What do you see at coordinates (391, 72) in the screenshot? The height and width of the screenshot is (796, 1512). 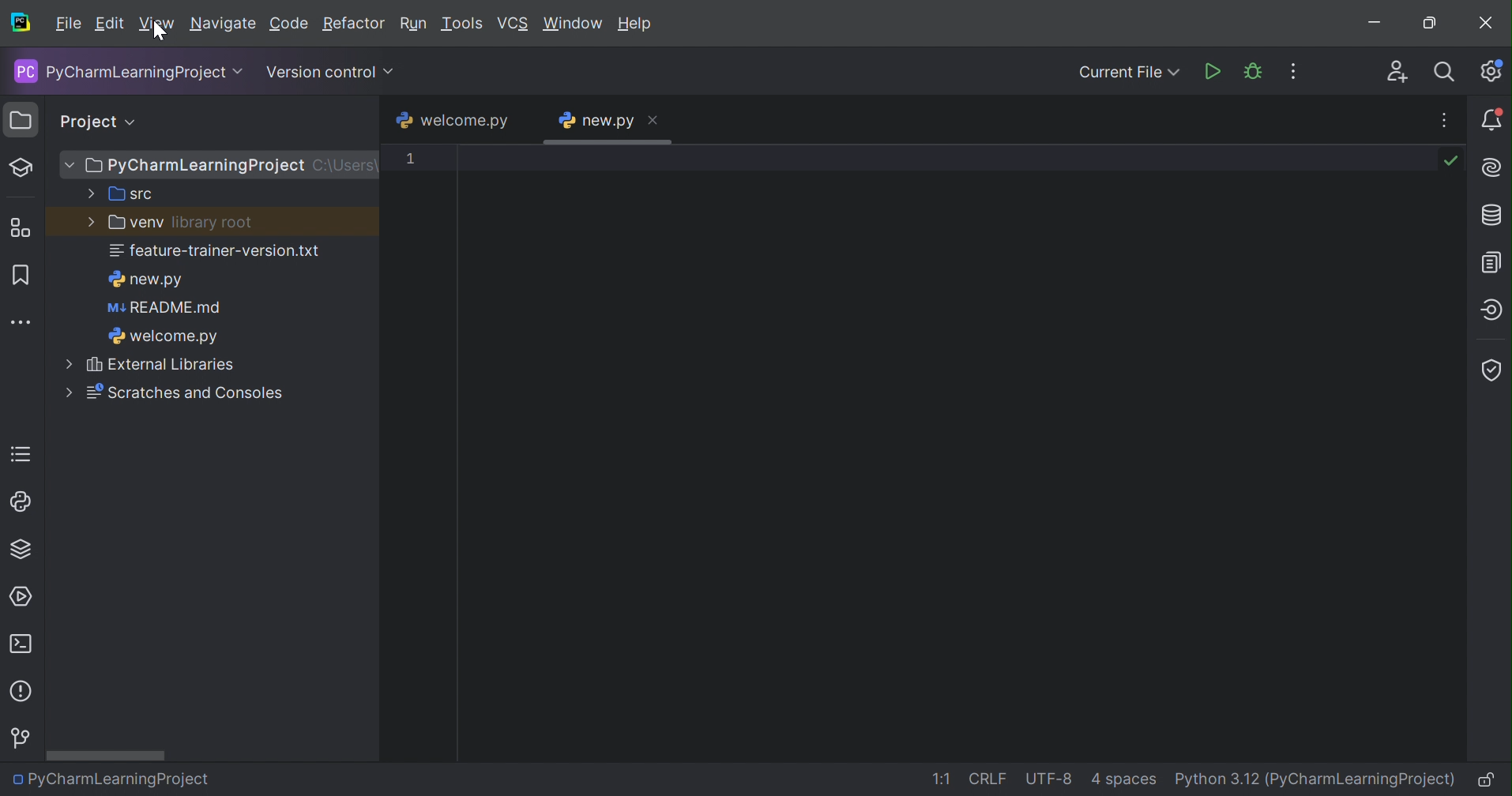 I see `Drop down` at bounding box center [391, 72].